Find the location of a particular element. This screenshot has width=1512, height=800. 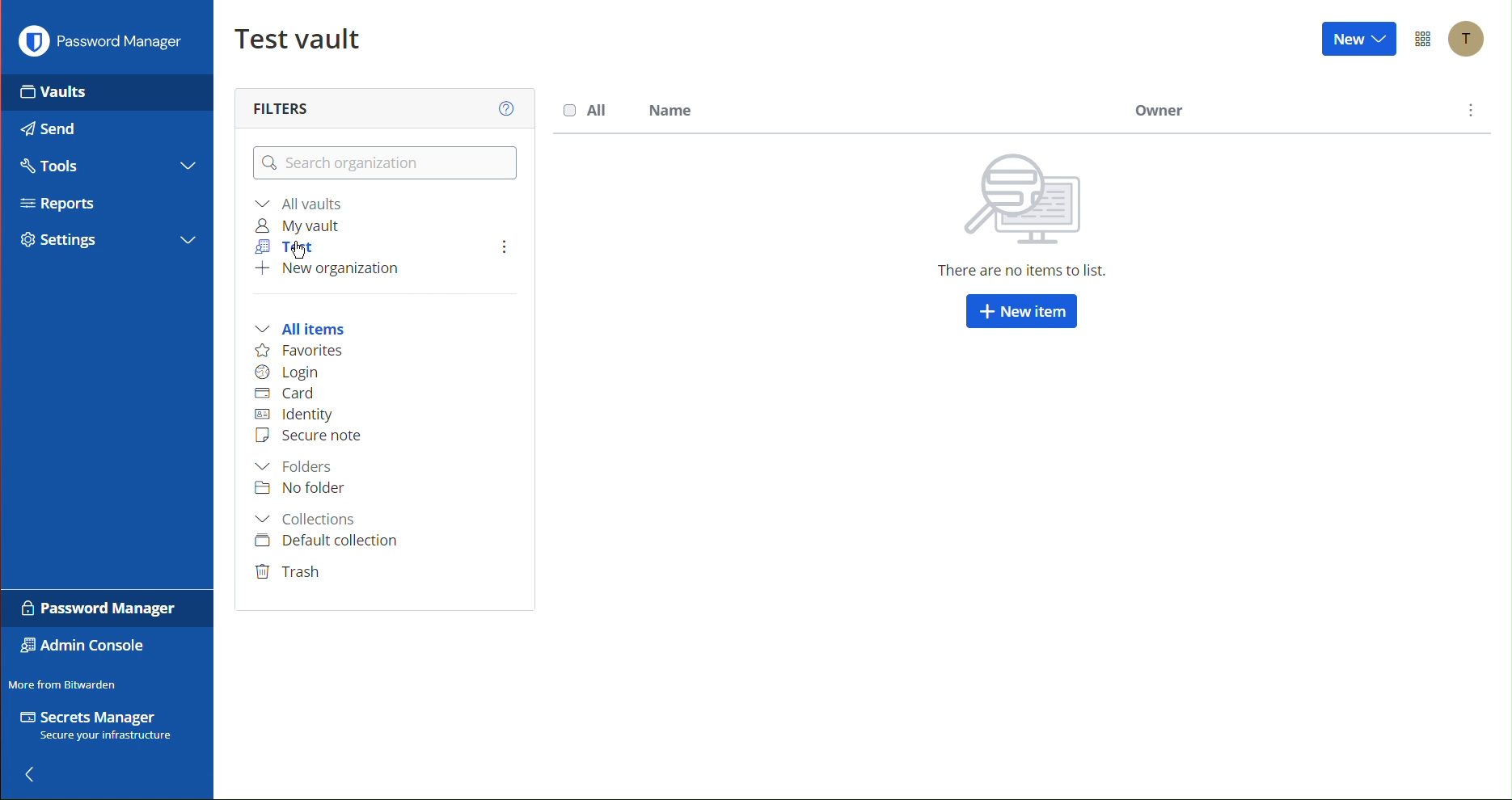

Cursor is located at coordinates (299, 252).